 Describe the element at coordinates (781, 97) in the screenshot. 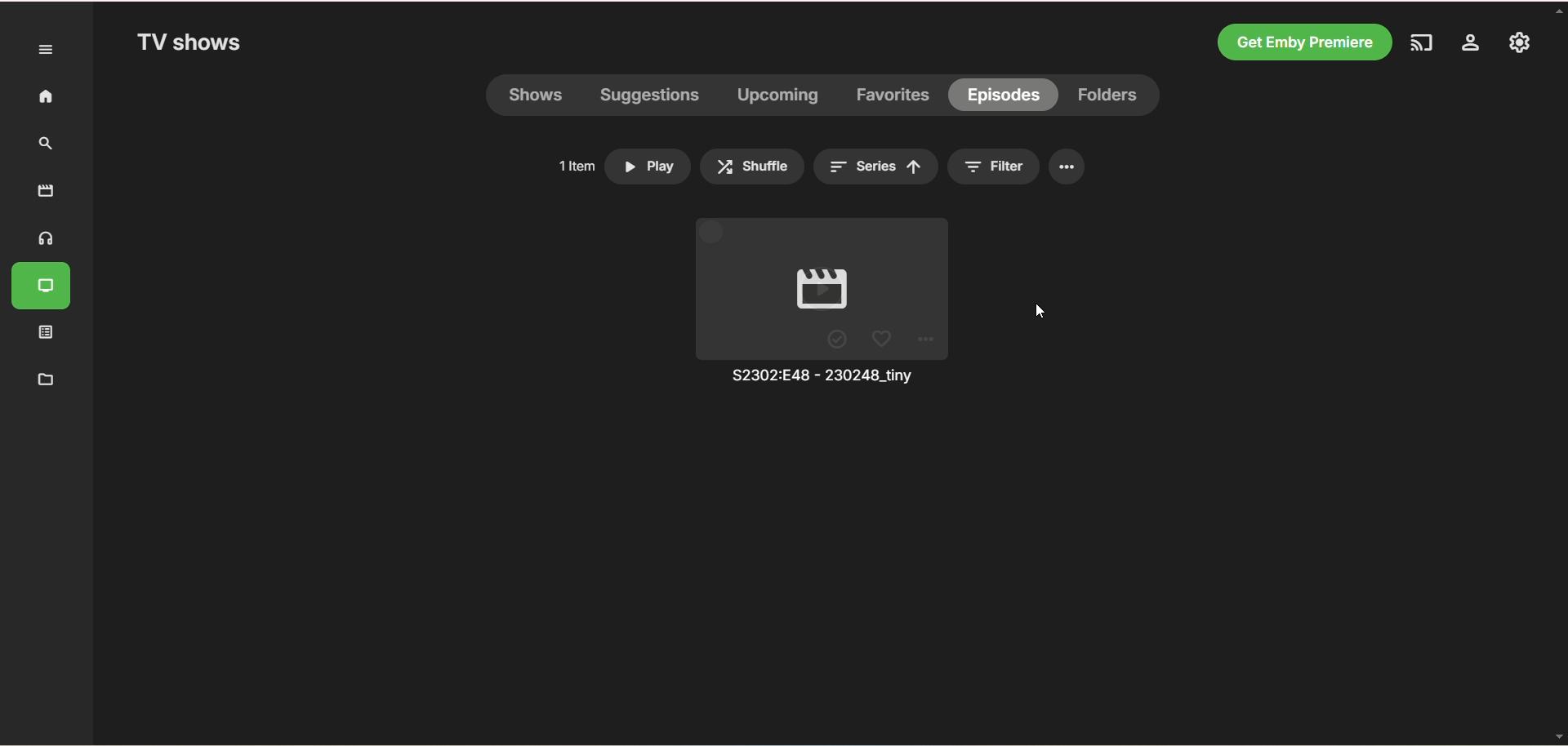

I see `upcoming` at that location.